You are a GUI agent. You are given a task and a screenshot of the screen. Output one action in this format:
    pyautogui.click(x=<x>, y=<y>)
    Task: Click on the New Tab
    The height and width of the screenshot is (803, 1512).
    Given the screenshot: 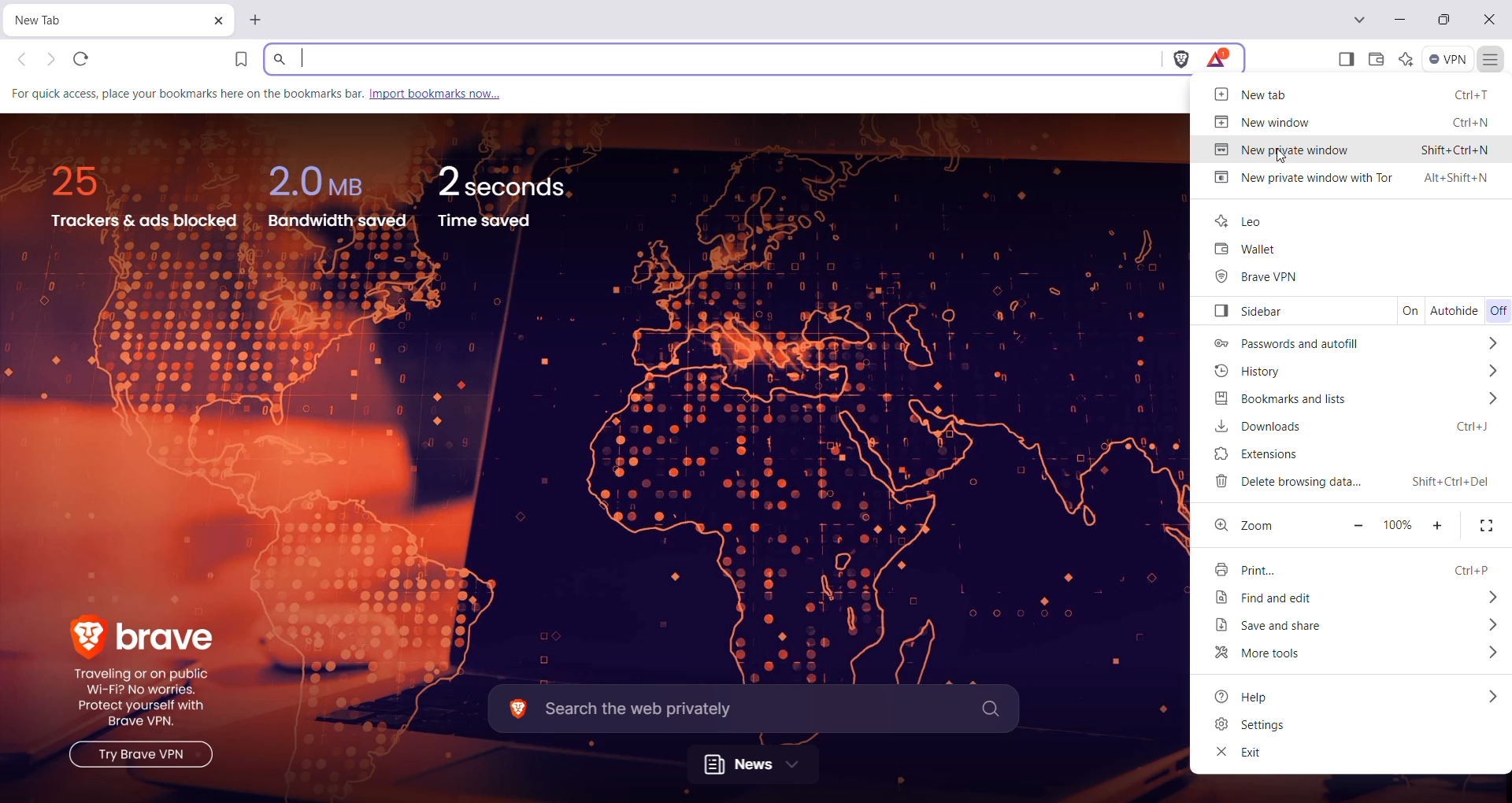 What is the action you would take?
    pyautogui.click(x=91, y=22)
    